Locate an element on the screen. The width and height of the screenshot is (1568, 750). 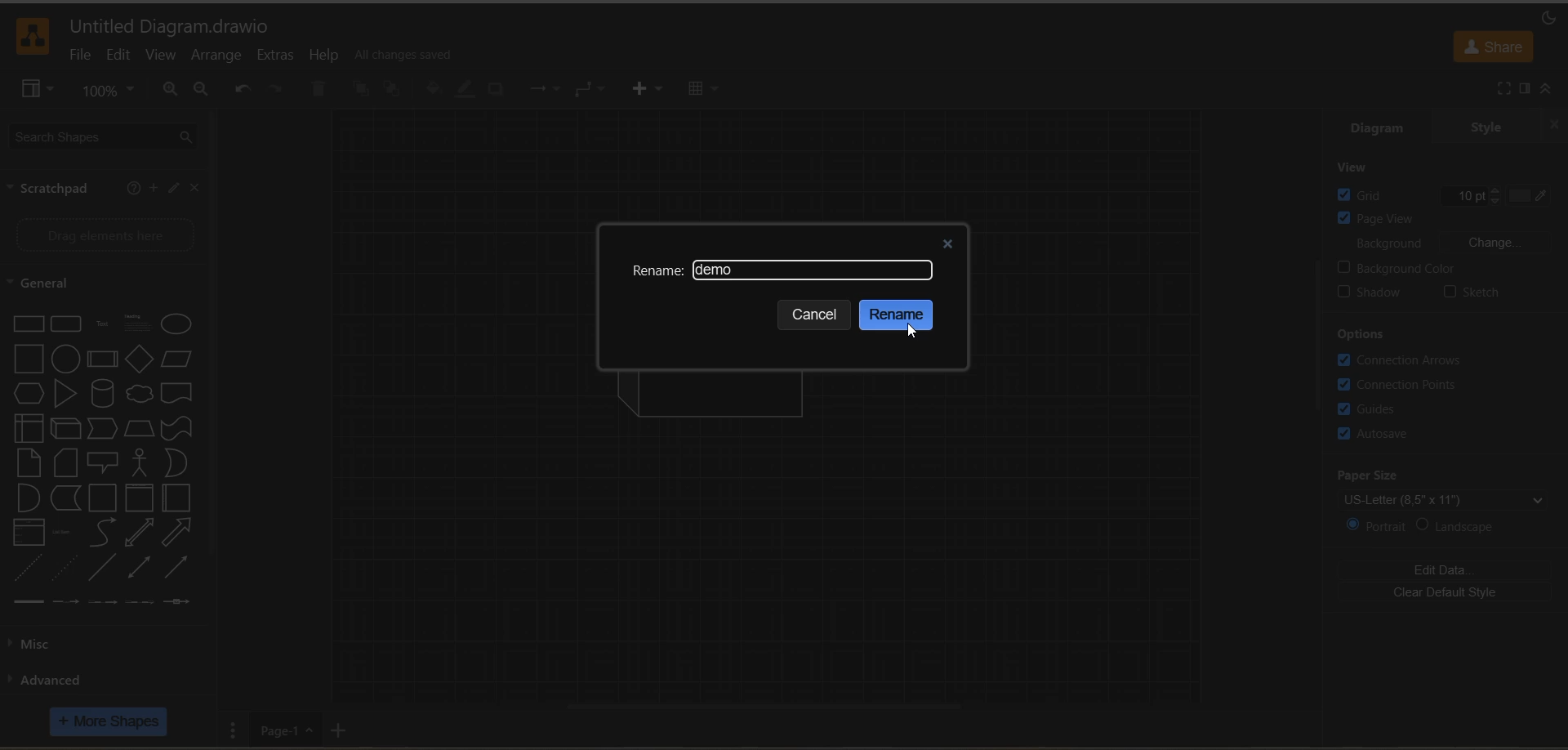
autosave is located at coordinates (1376, 435).